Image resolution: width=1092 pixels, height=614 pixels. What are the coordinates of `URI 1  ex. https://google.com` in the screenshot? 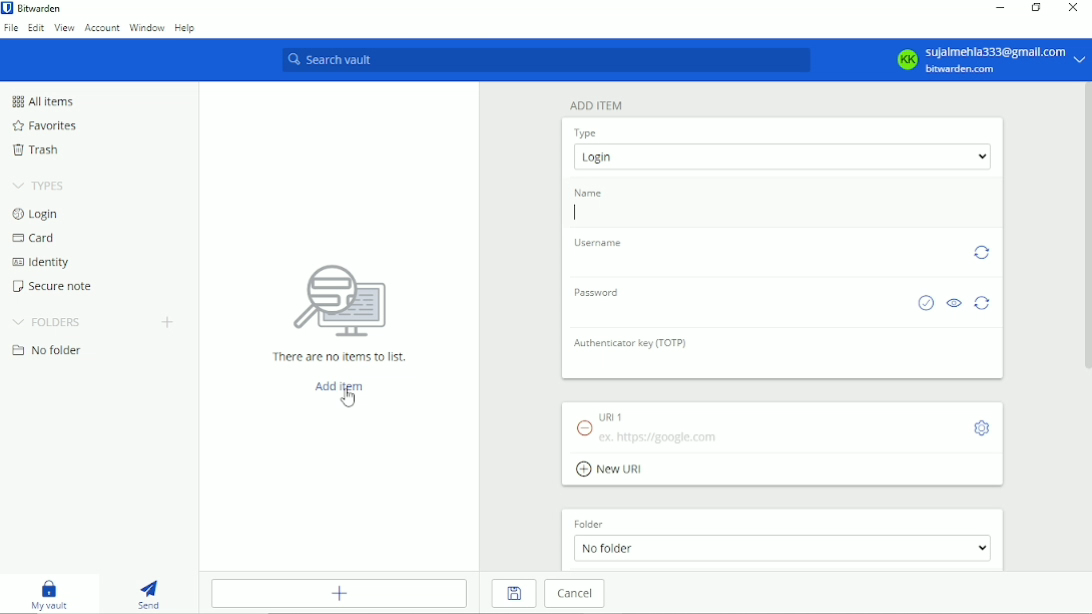 It's located at (762, 427).